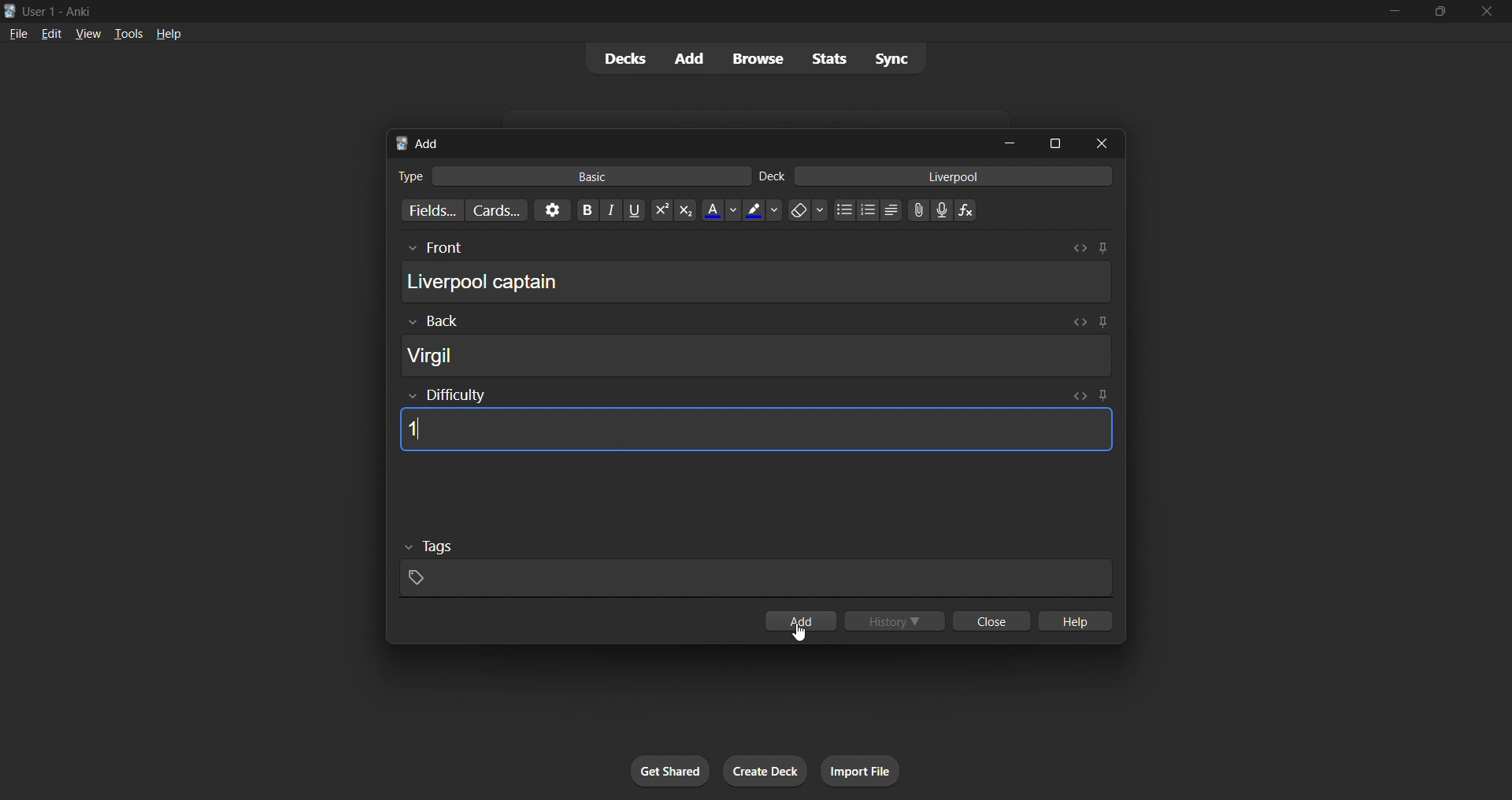 This screenshot has height=800, width=1512. I want to click on card back field input box, so click(757, 355).